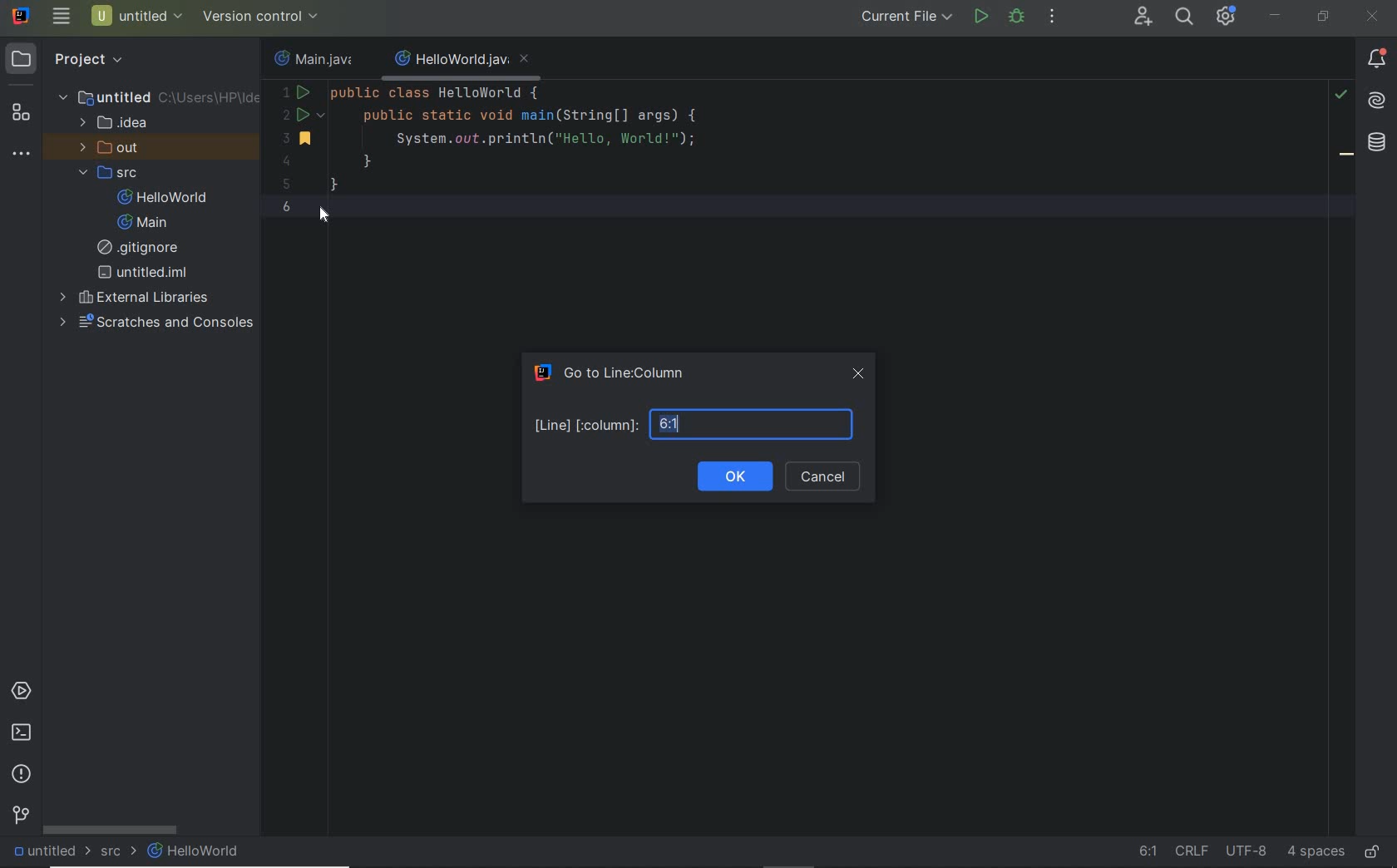 Image resolution: width=1397 pixels, height=868 pixels. I want to click on terminal, so click(21, 733).